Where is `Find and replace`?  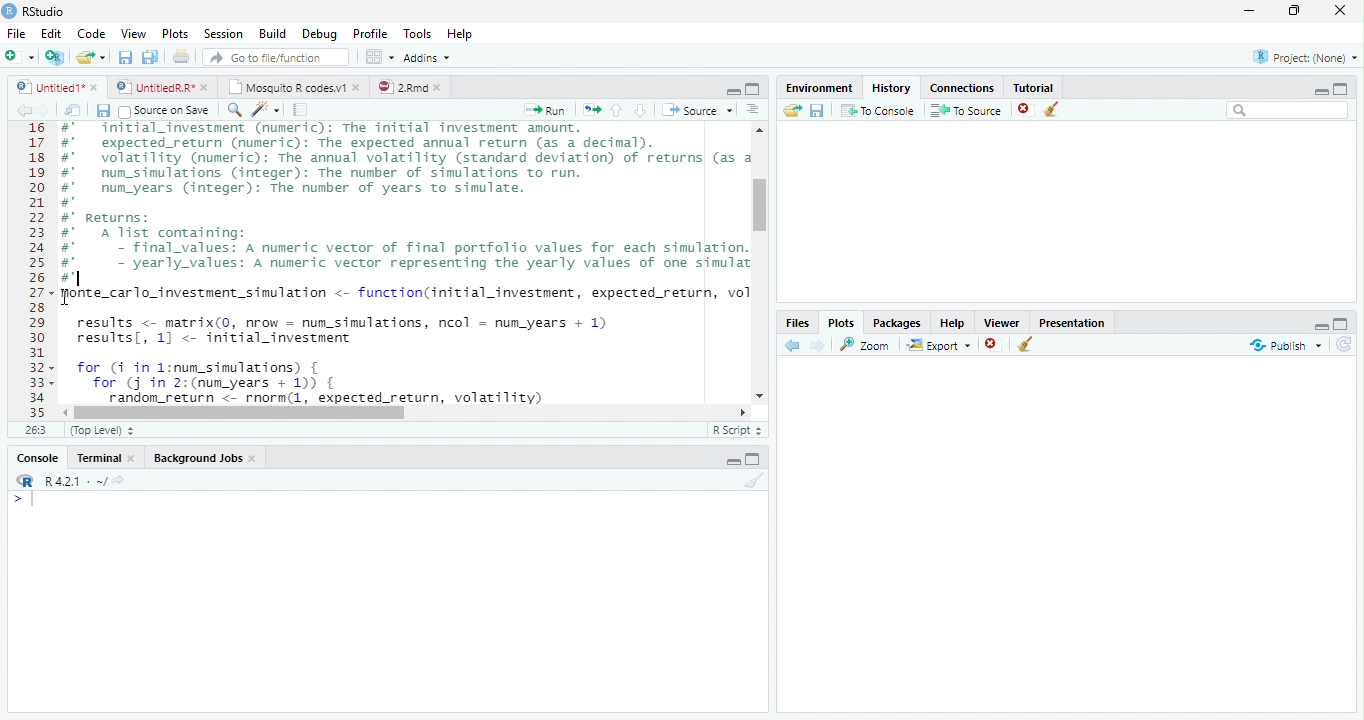 Find and replace is located at coordinates (235, 110).